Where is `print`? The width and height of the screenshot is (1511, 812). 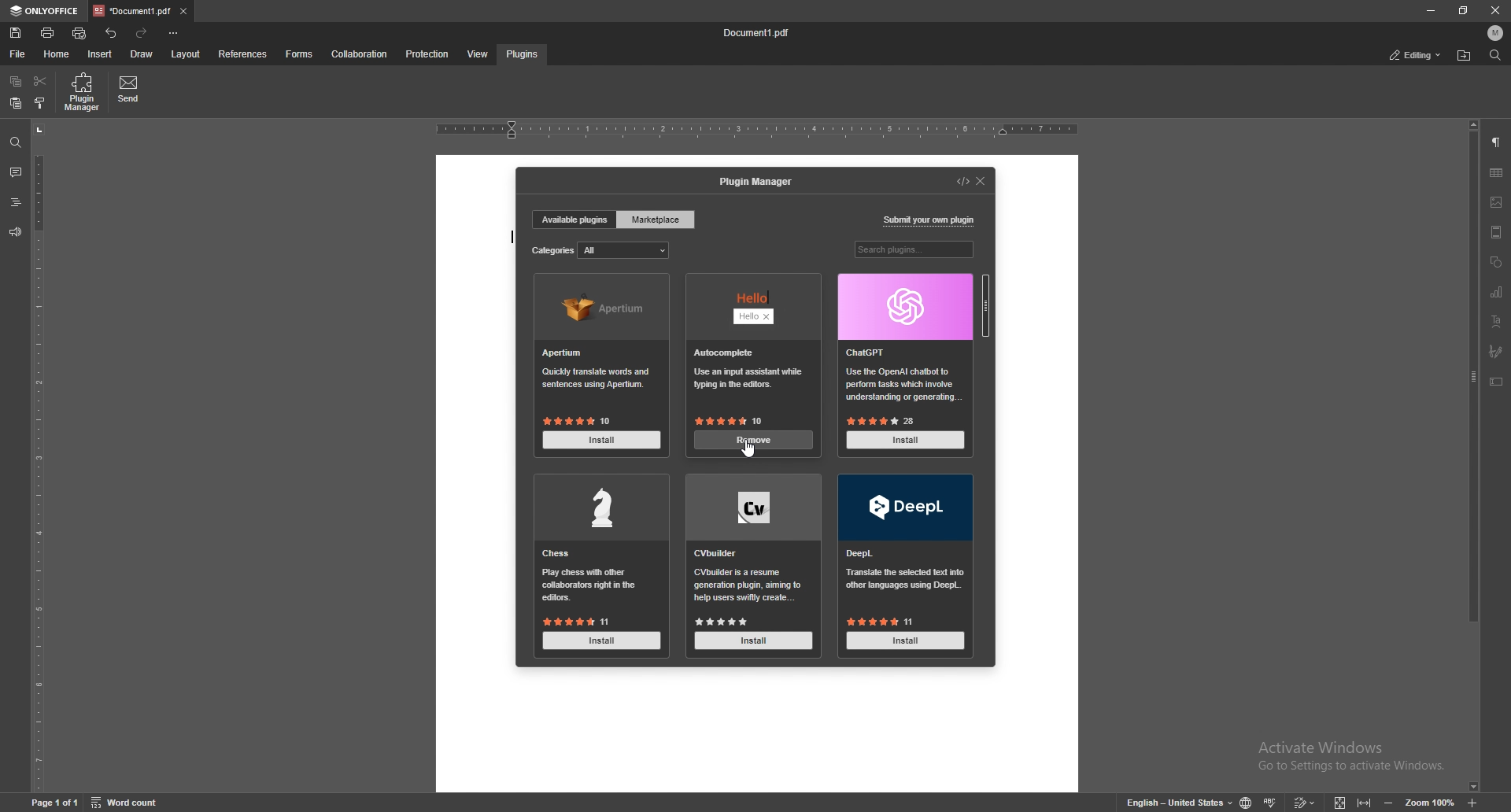
print is located at coordinates (49, 33).